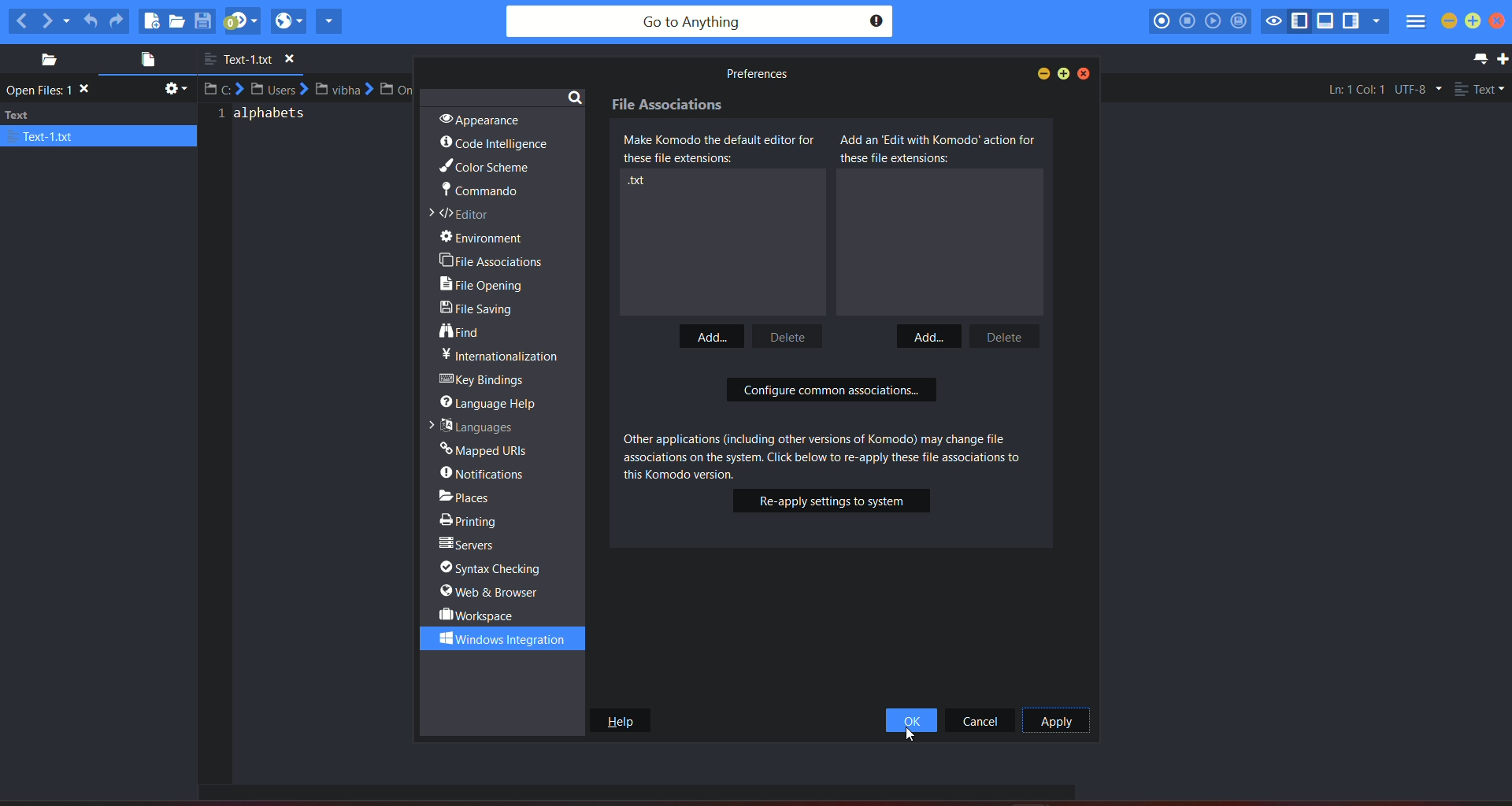  What do you see at coordinates (256, 60) in the screenshot?
I see `file name` at bounding box center [256, 60].